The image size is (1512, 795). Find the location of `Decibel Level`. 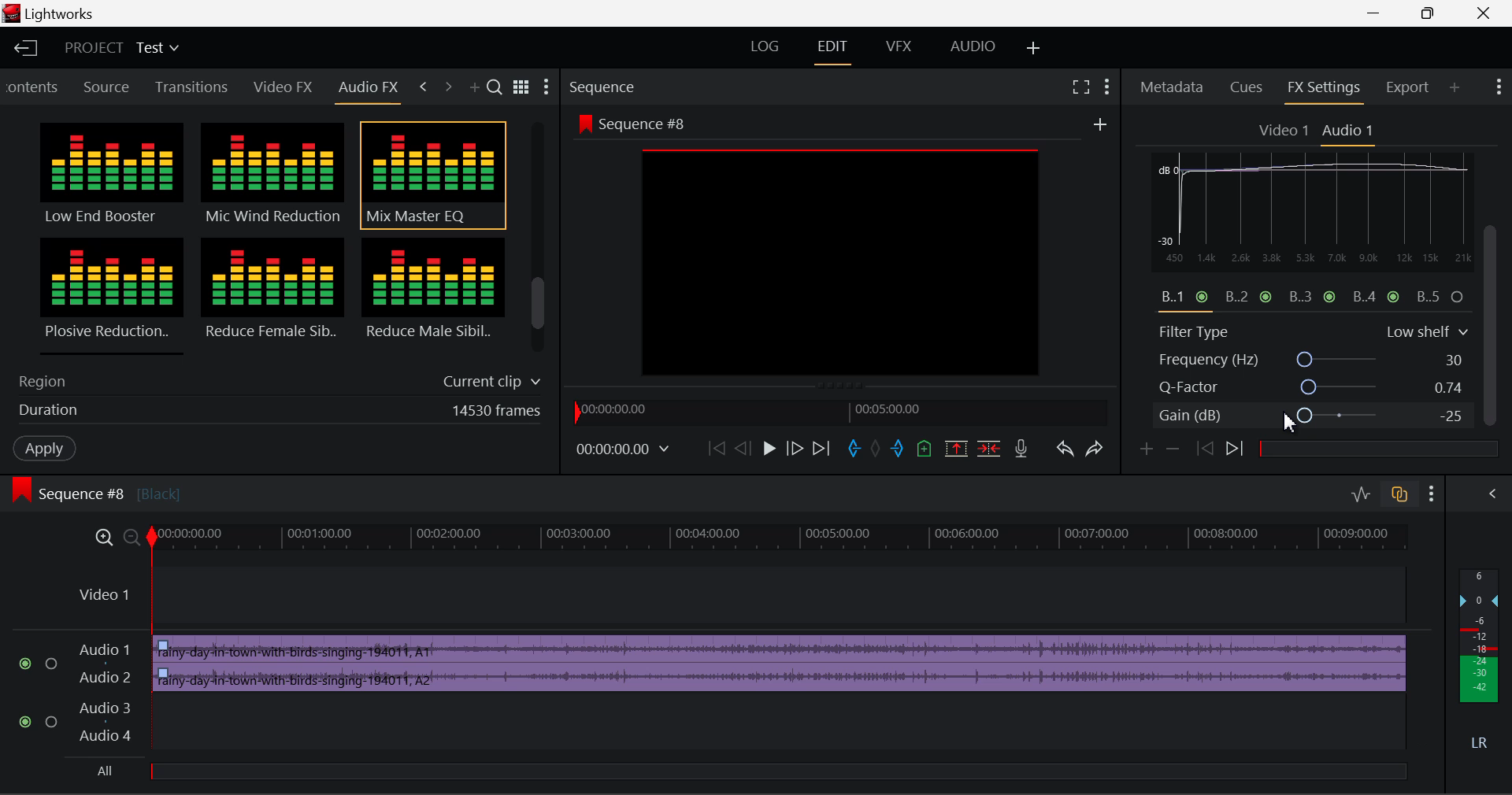

Decibel Level is located at coordinates (1482, 663).